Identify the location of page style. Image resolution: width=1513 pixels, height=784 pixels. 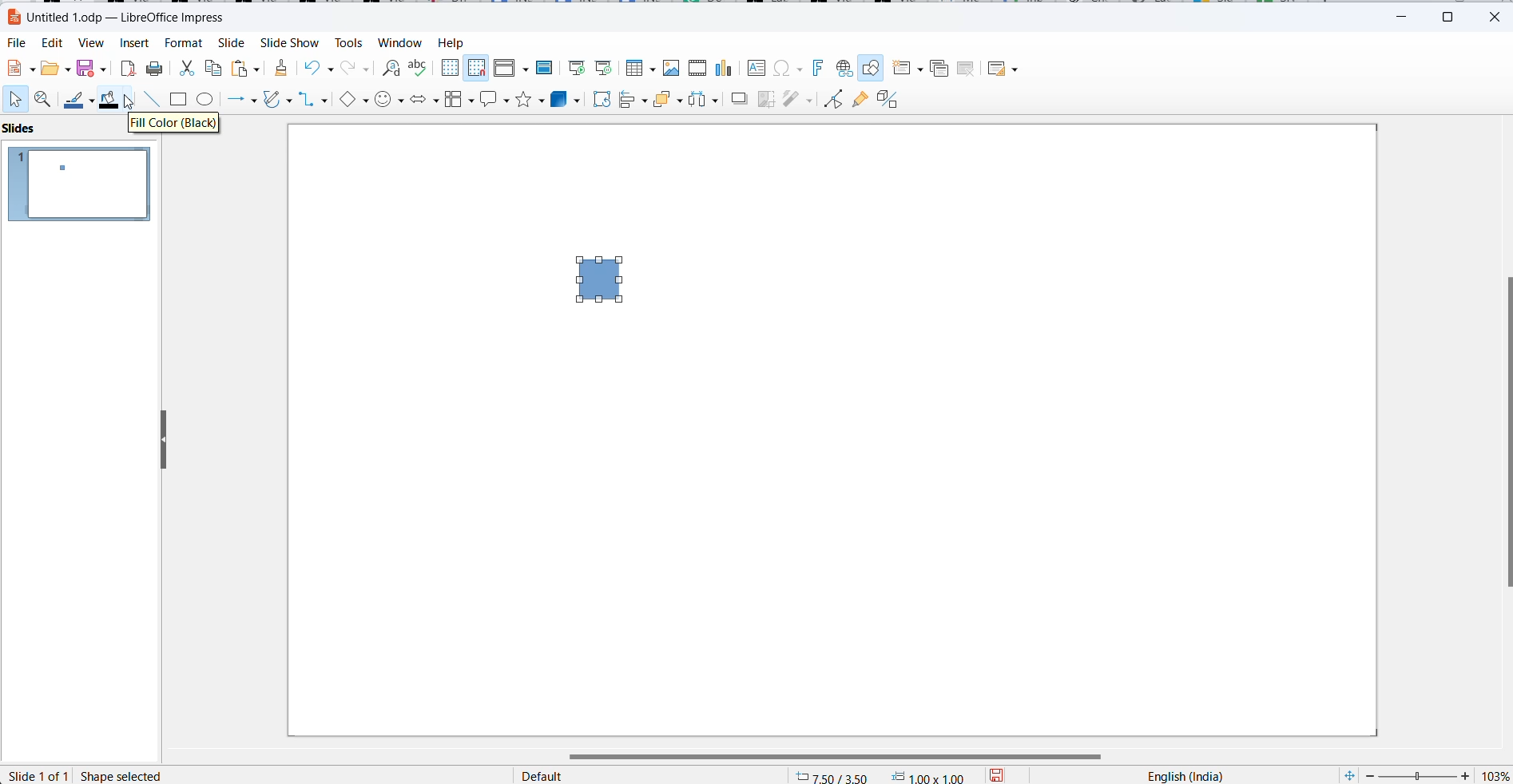
(645, 774).